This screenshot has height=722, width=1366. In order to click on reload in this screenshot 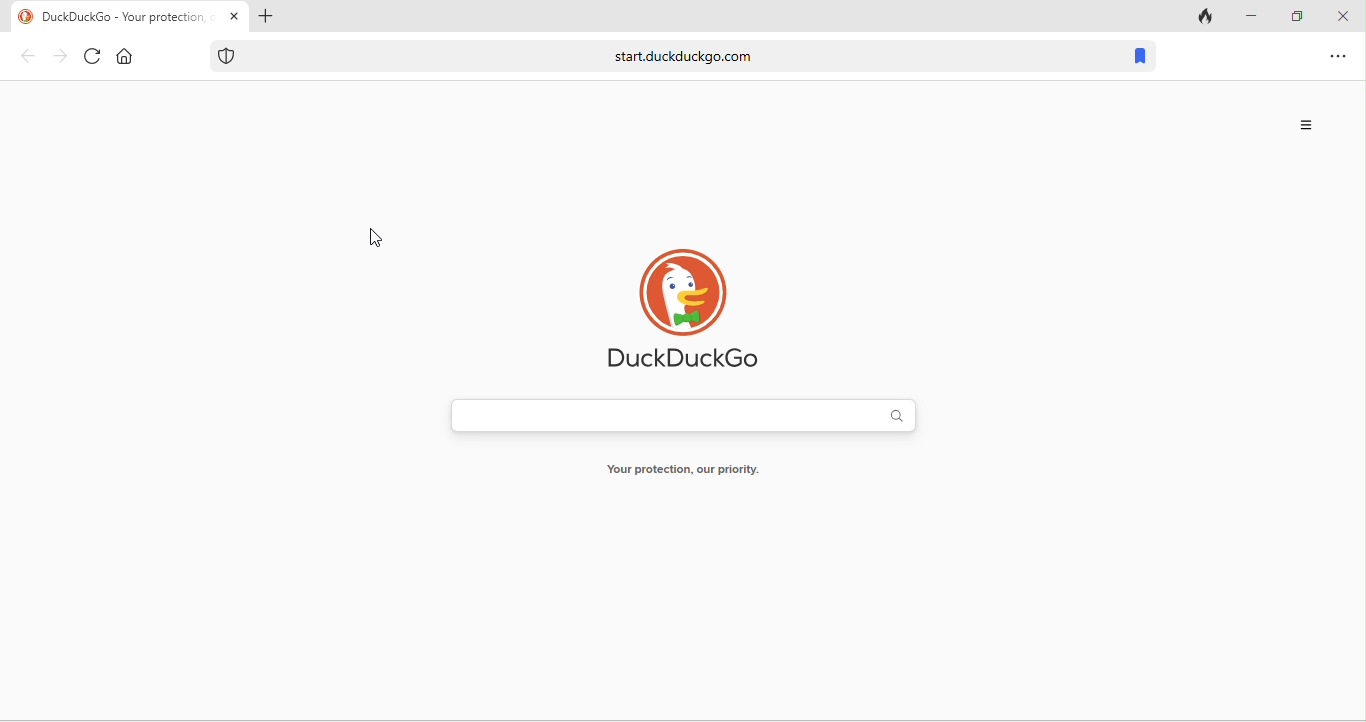, I will do `click(92, 57)`.